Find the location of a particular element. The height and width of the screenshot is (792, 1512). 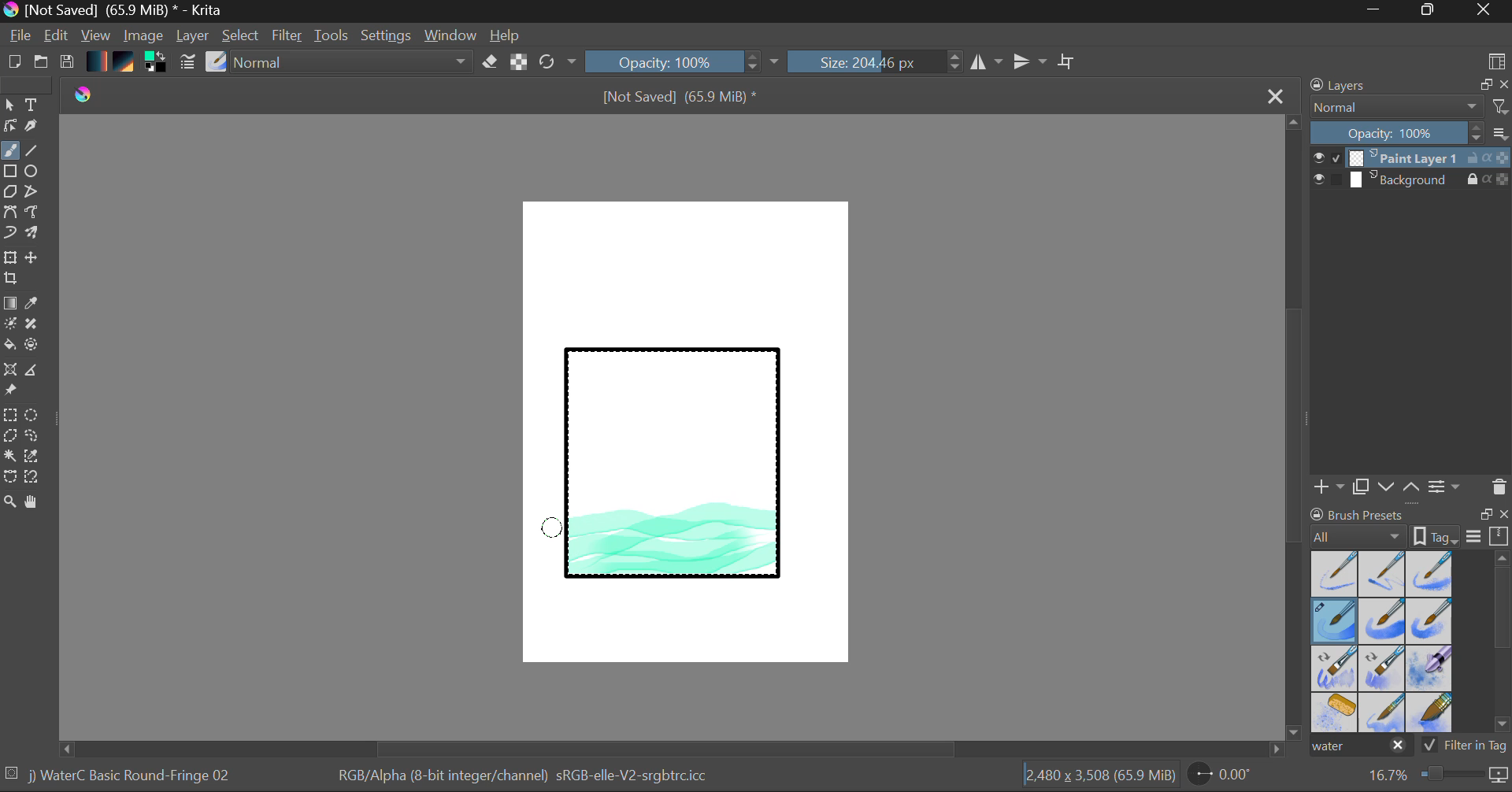

logo is located at coordinates (86, 95).